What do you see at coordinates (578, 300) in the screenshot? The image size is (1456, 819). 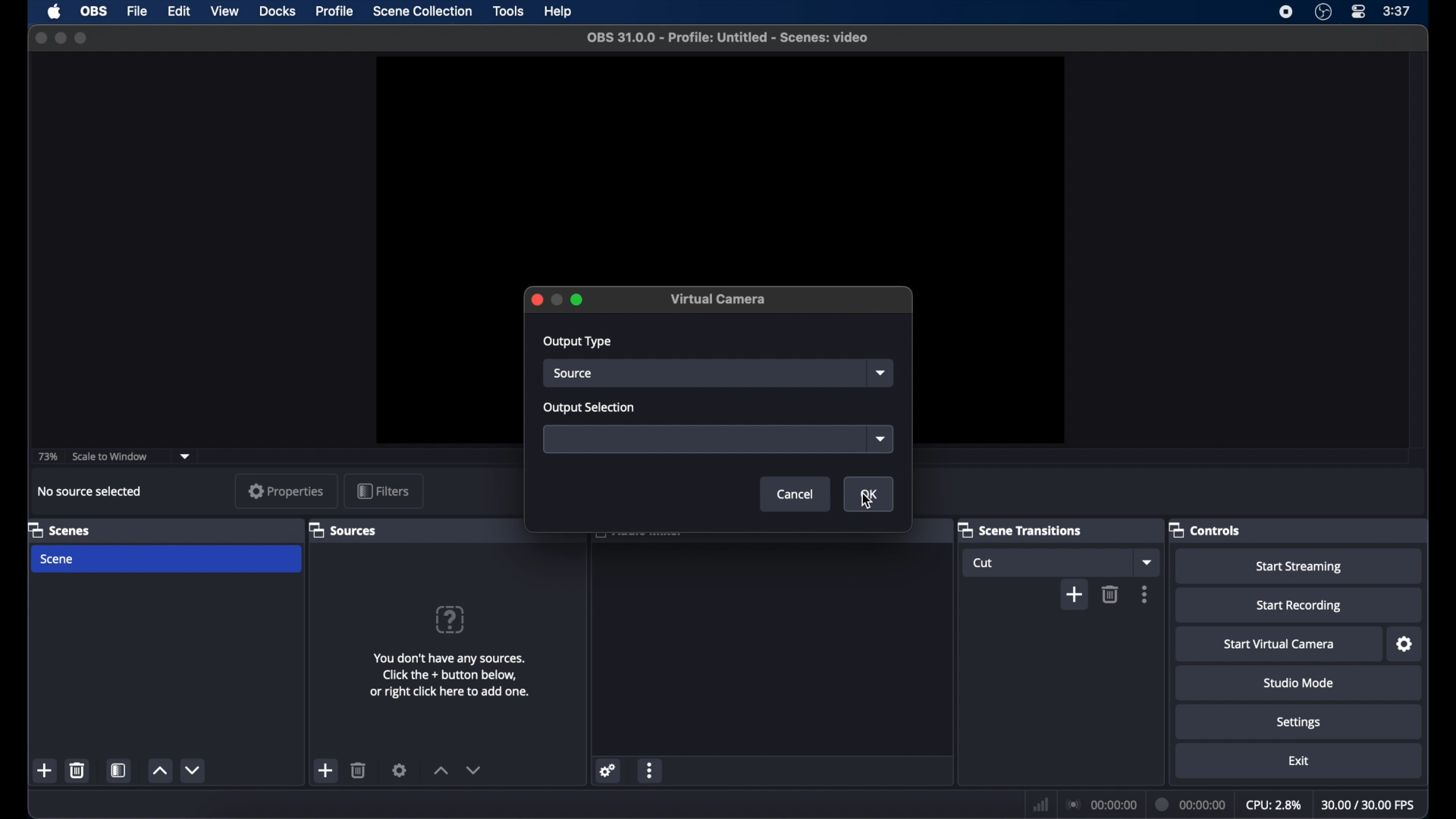 I see `Maximize` at bounding box center [578, 300].